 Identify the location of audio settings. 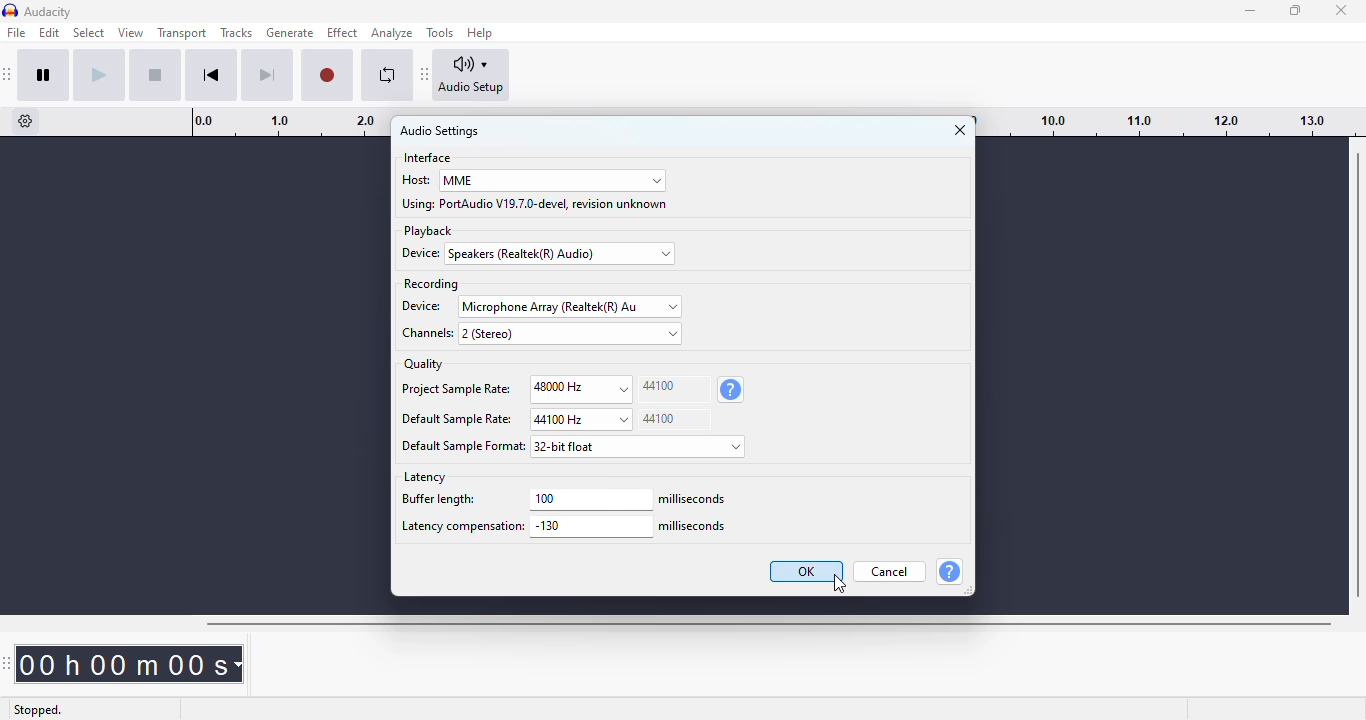
(440, 131).